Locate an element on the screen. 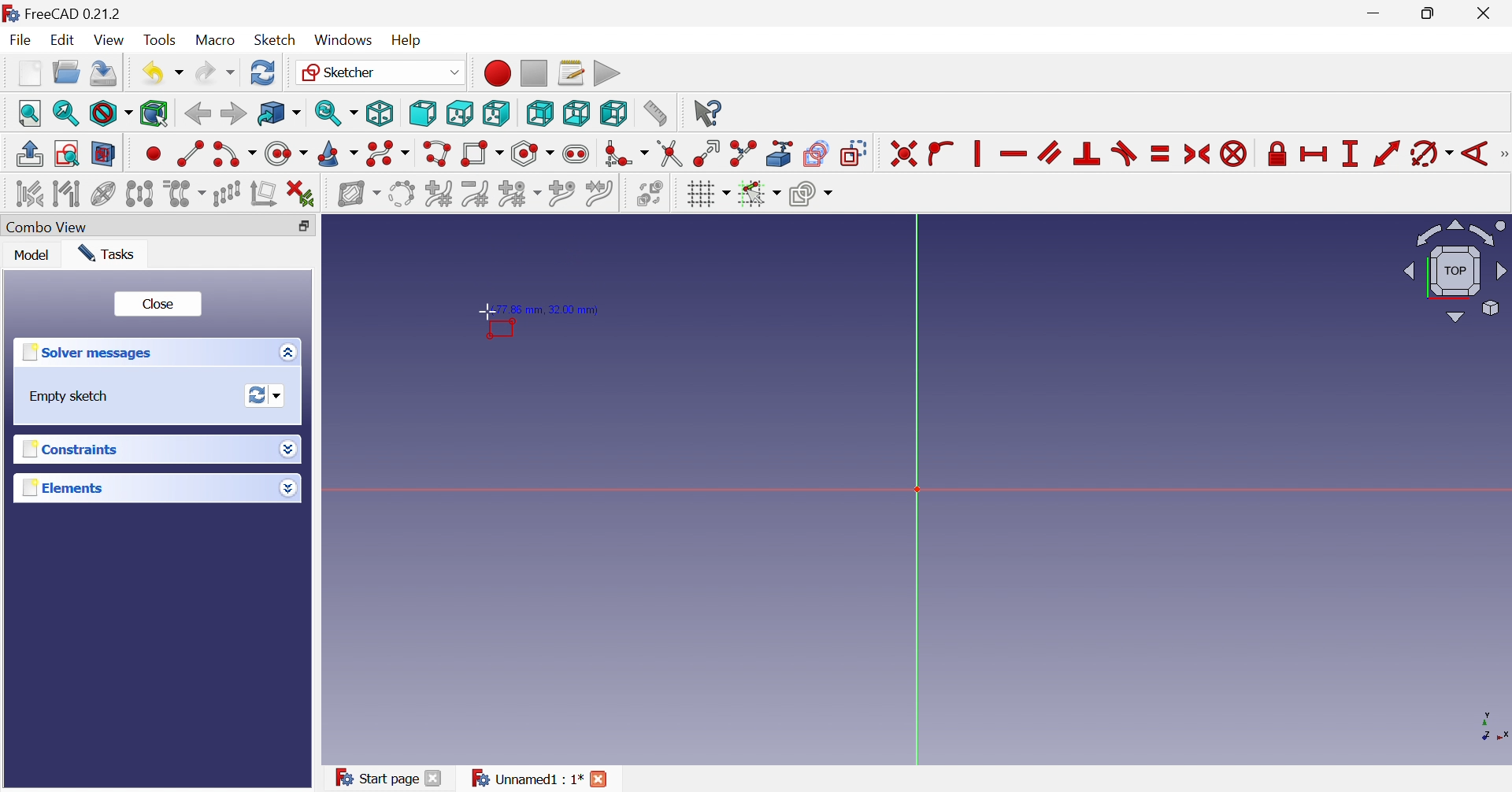  View sketch is located at coordinates (66, 154).